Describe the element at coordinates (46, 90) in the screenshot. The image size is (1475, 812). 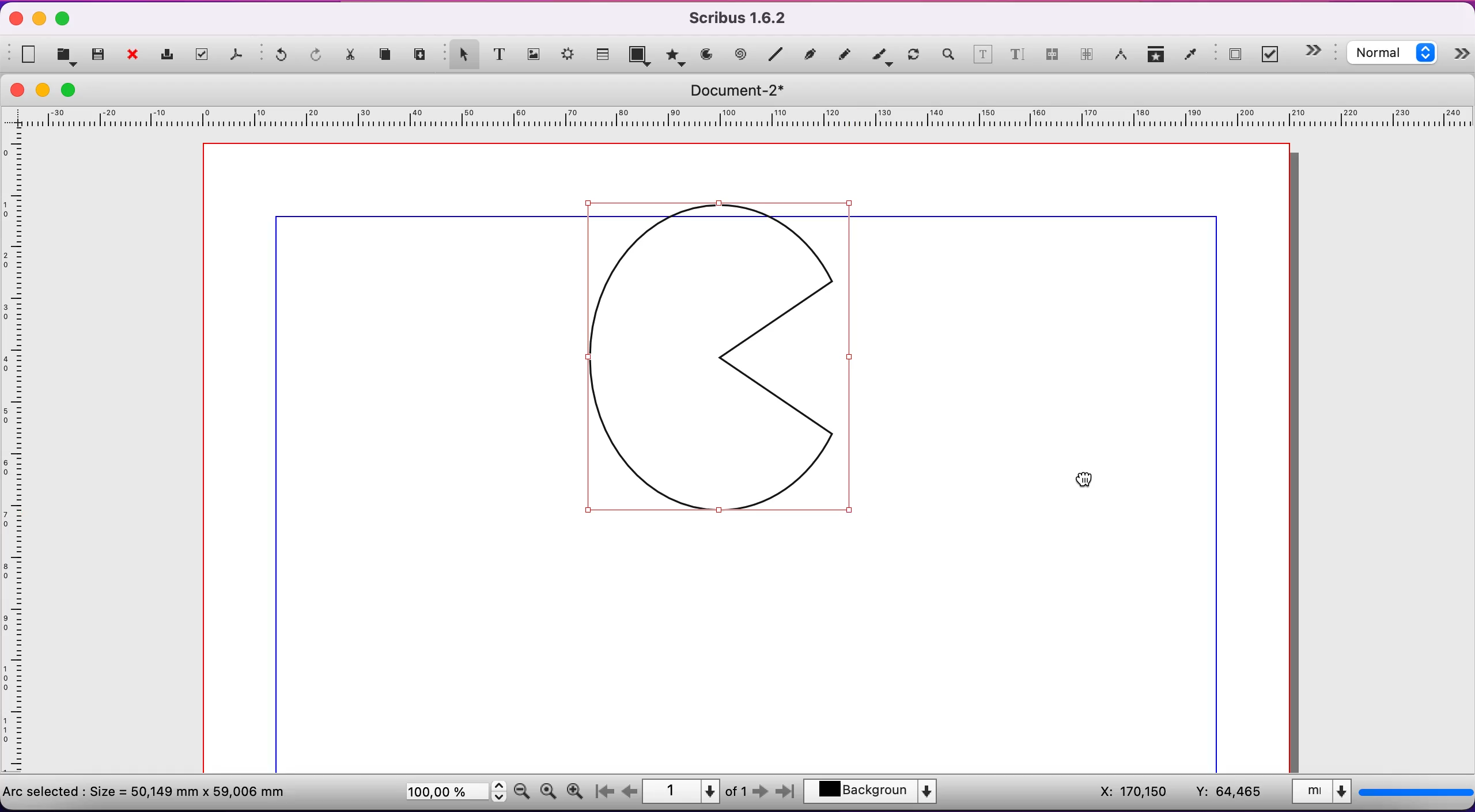
I see `minimize` at that location.